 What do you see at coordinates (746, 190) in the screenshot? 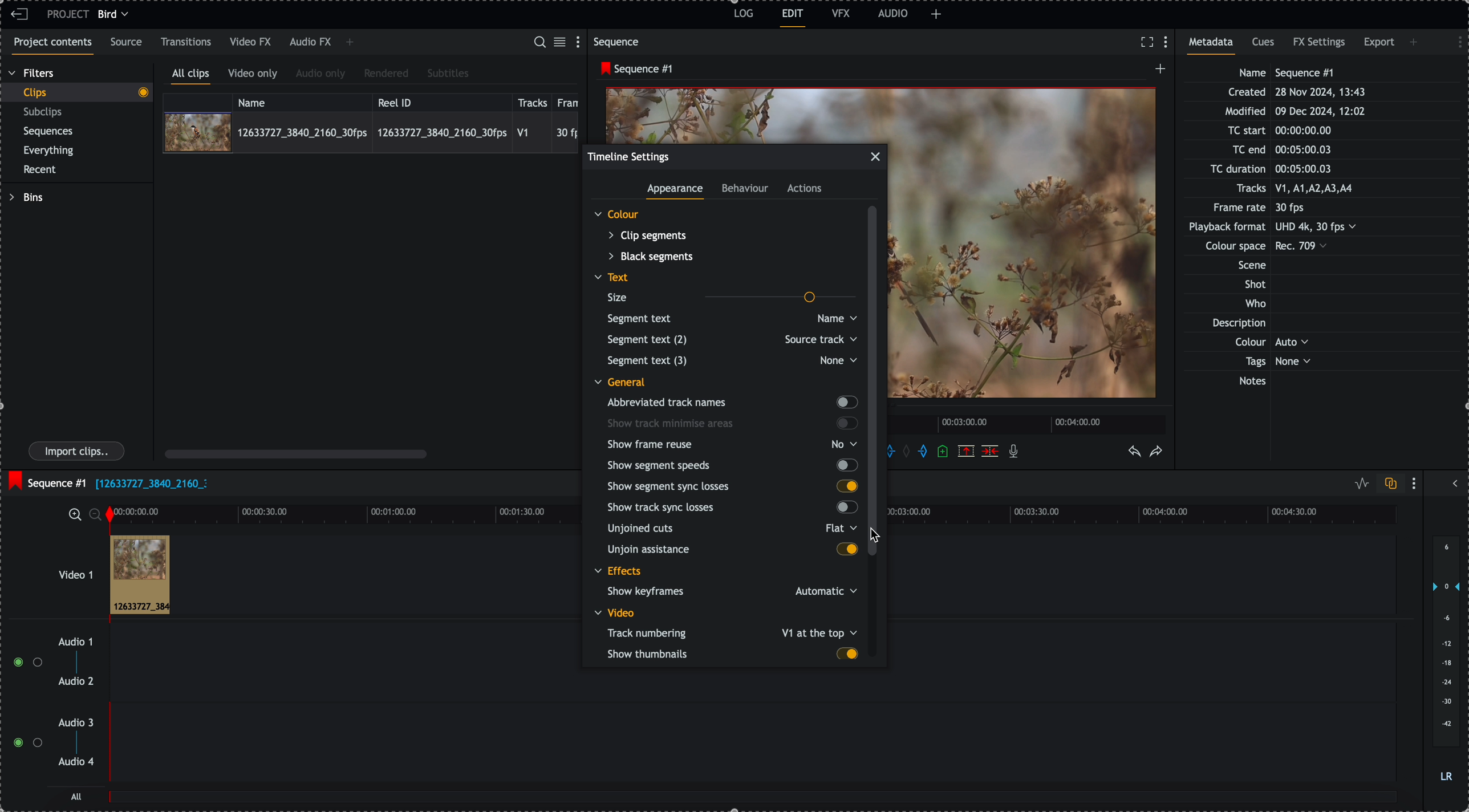
I see `behaviour` at bounding box center [746, 190].